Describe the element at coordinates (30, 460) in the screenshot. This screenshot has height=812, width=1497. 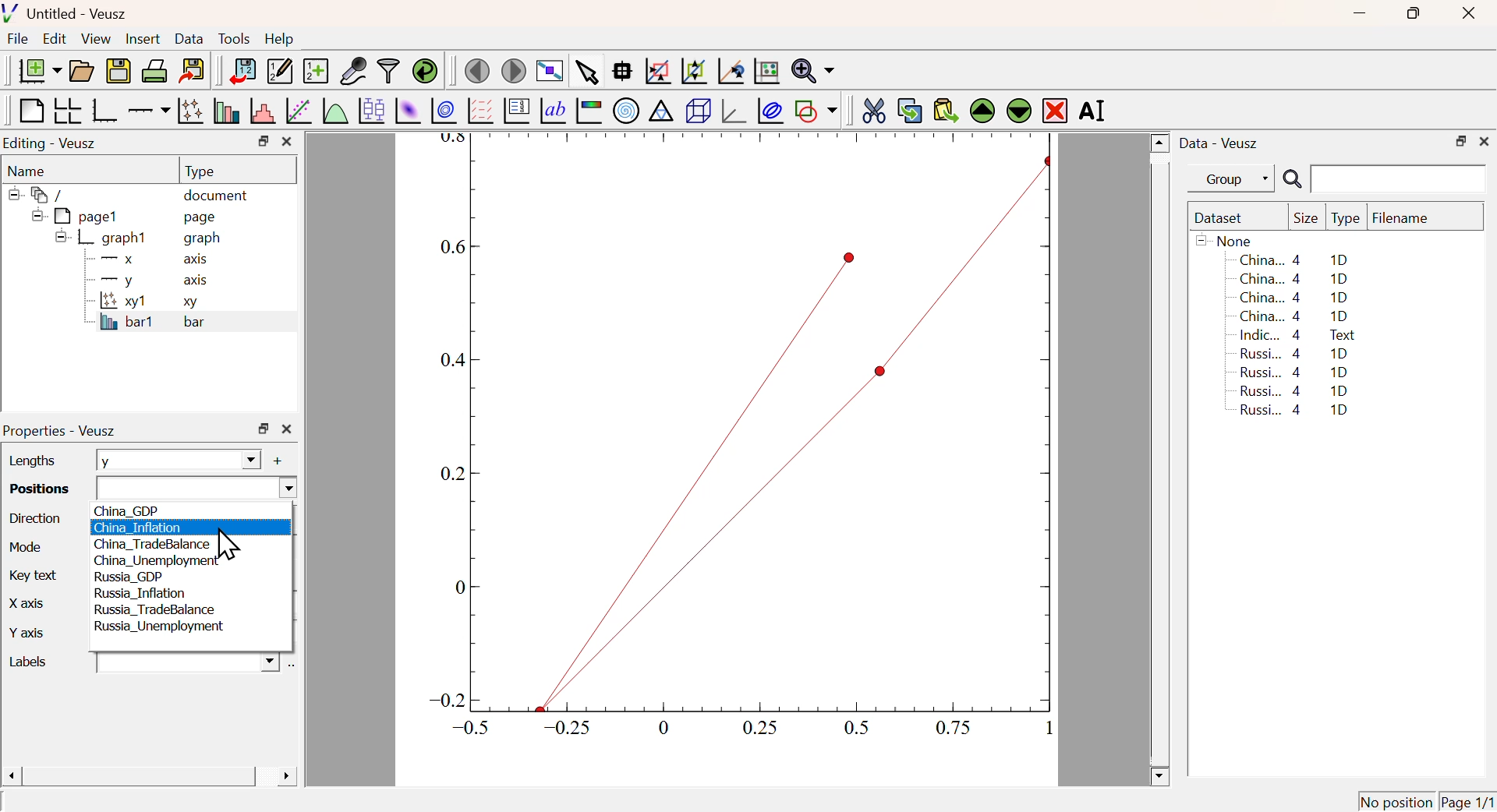
I see `Lengths` at that location.